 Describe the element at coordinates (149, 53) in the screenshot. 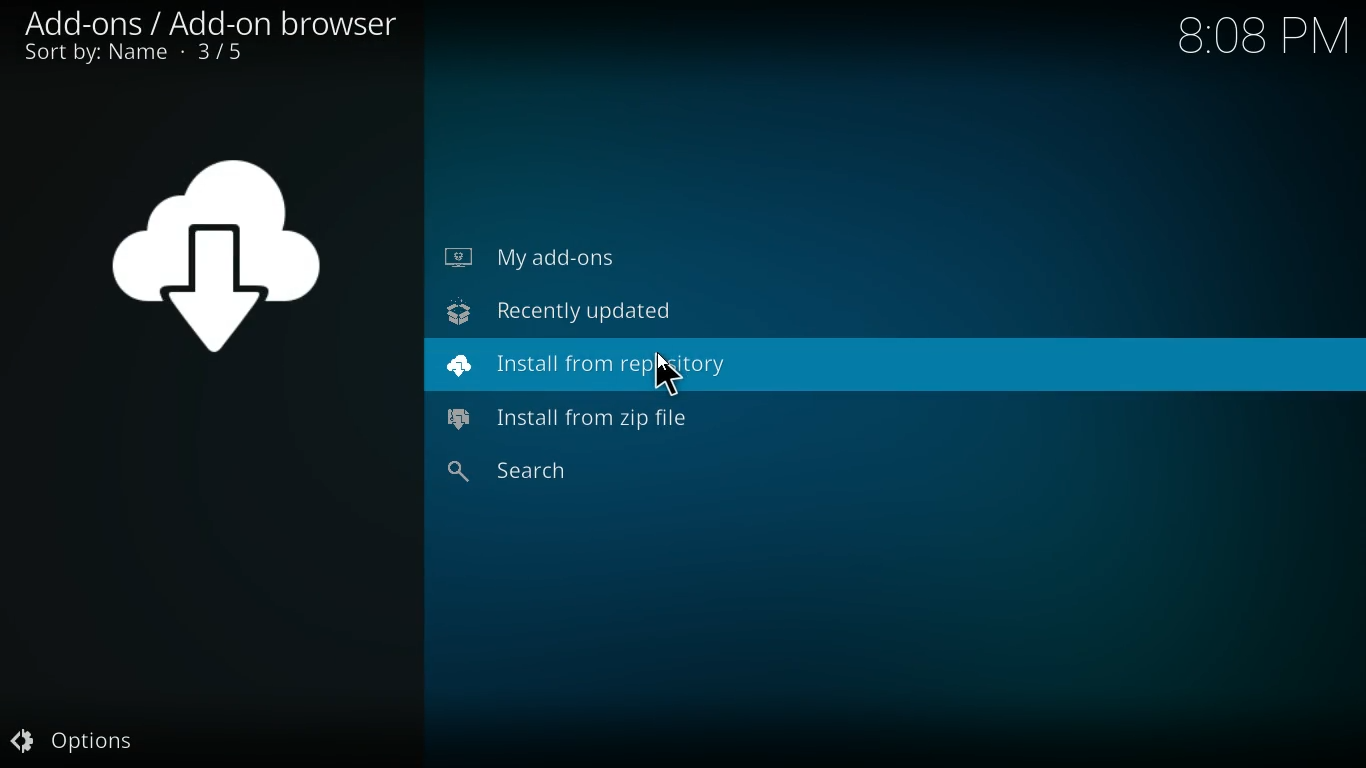

I see `sort by name` at that location.